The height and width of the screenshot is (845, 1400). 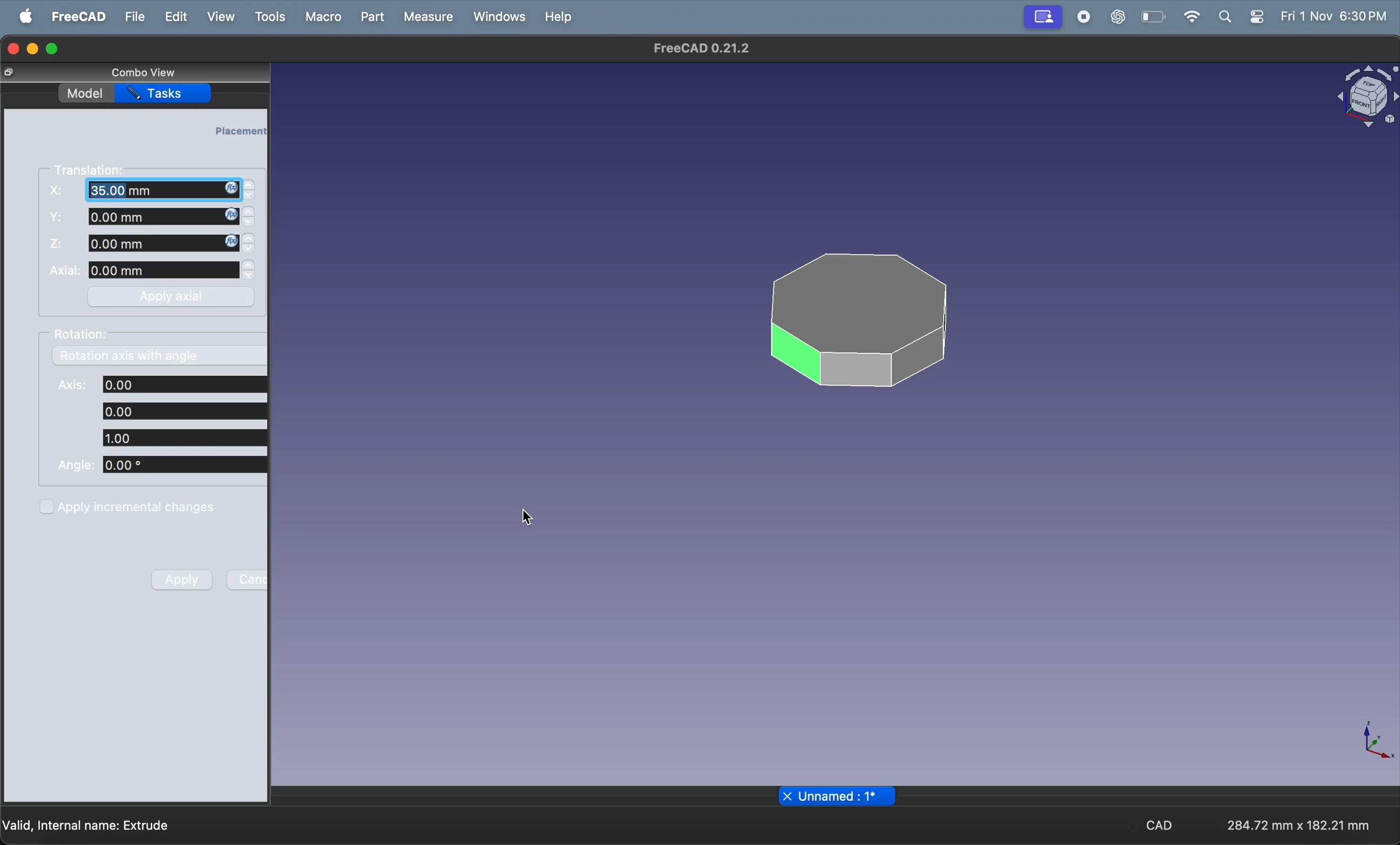 What do you see at coordinates (33, 49) in the screenshot?
I see `minimize` at bounding box center [33, 49].